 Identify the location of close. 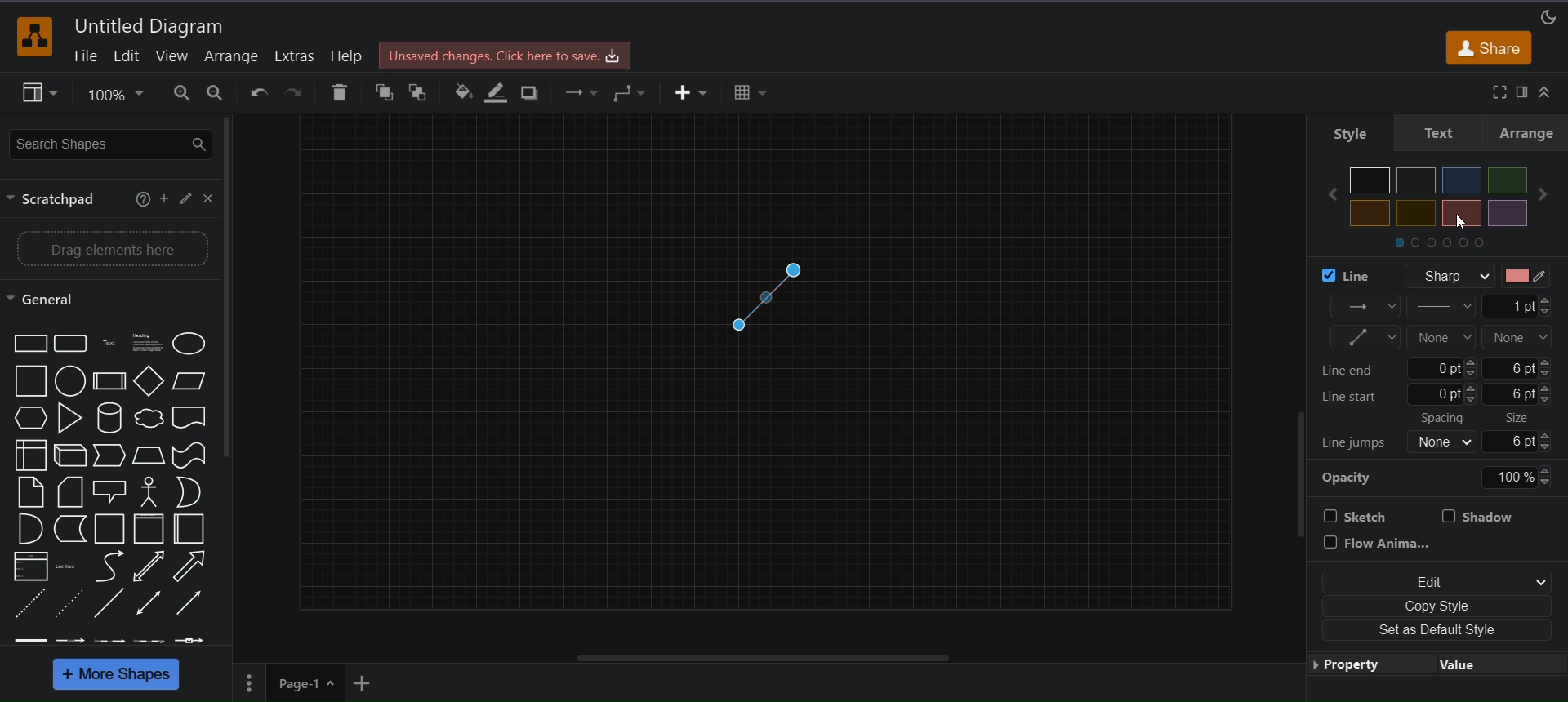
(209, 200).